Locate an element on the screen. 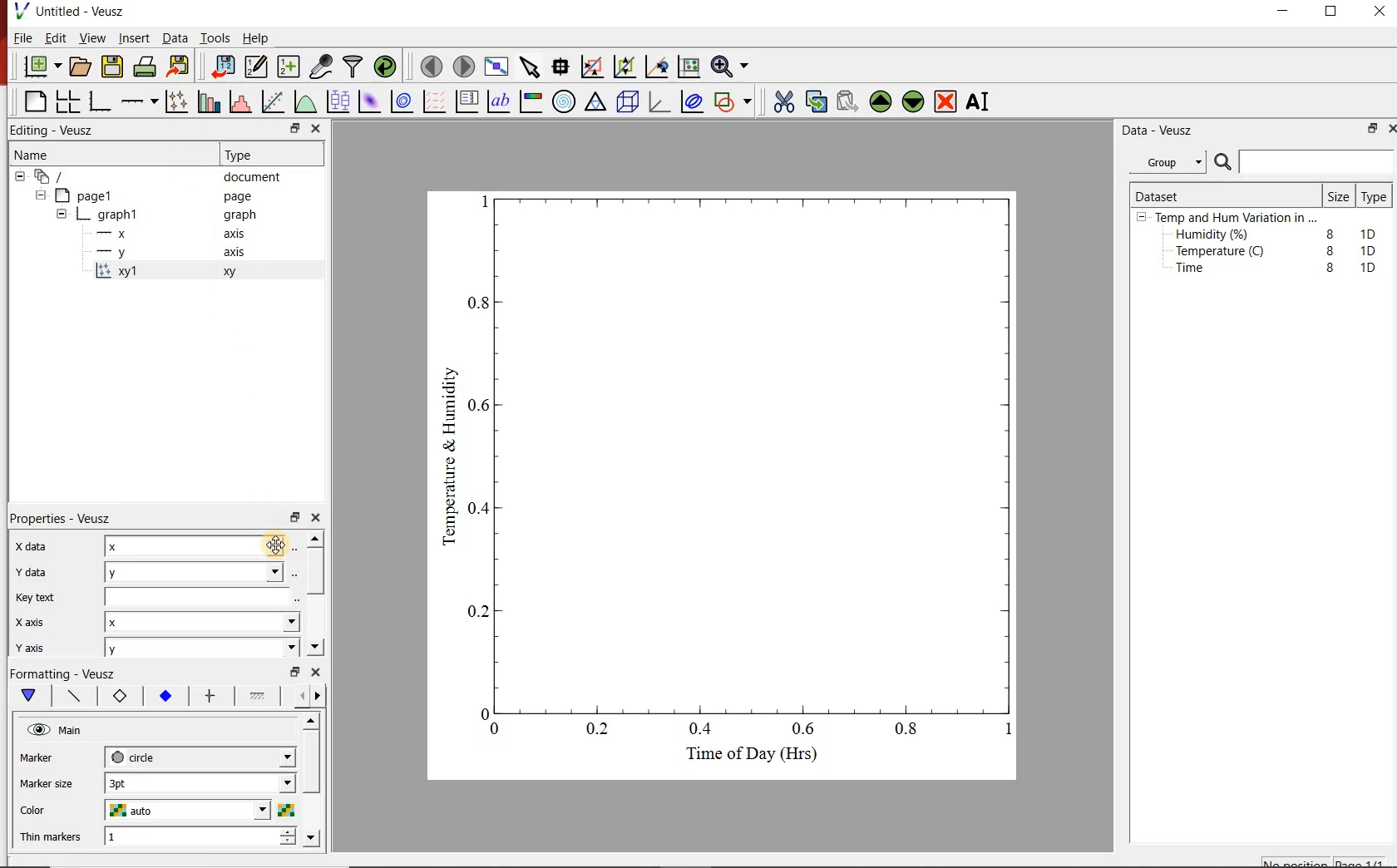 This screenshot has height=868, width=1397. Main is located at coordinates (82, 732).